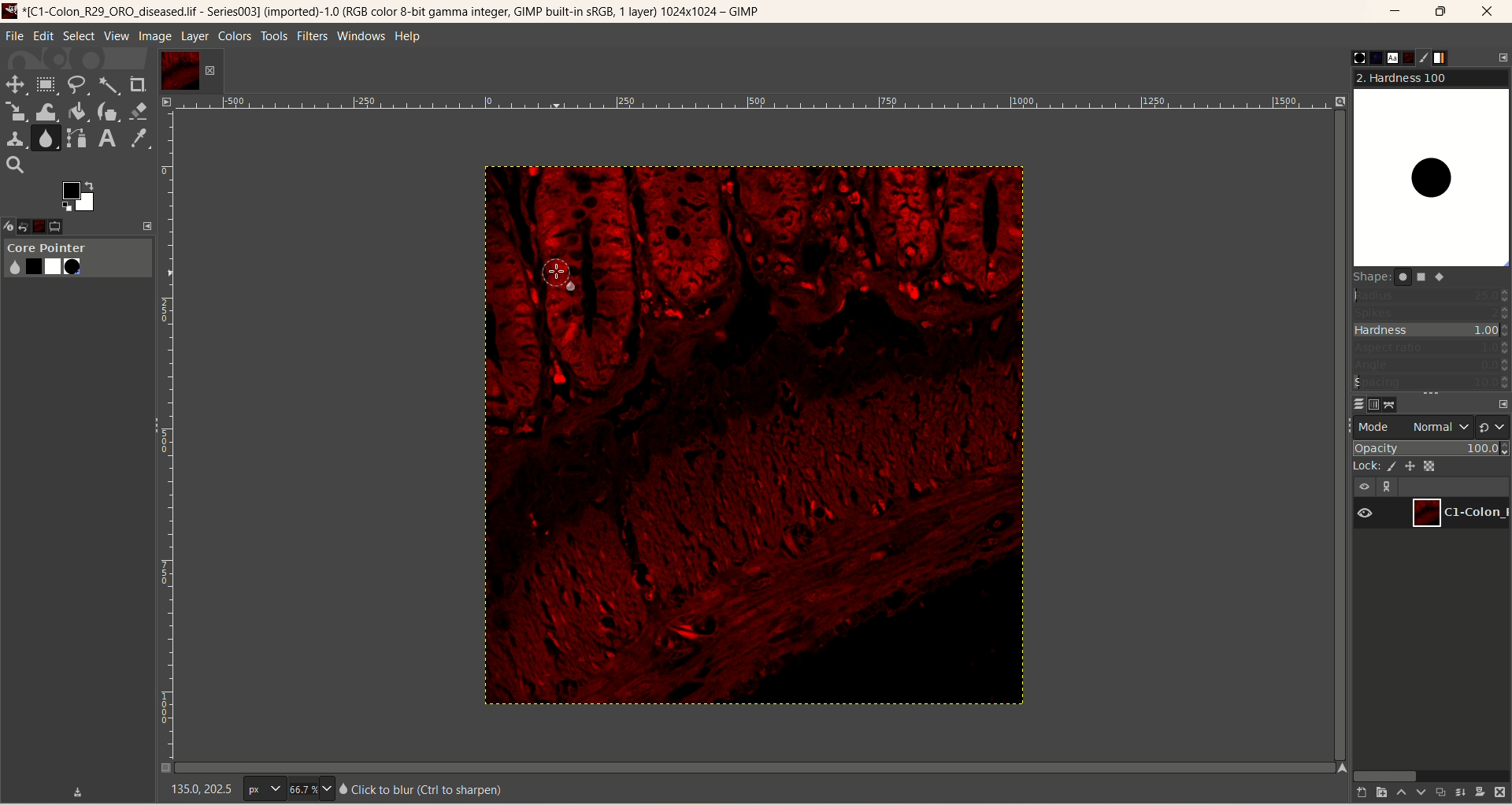  I want to click on radius, so click(1432, 295).